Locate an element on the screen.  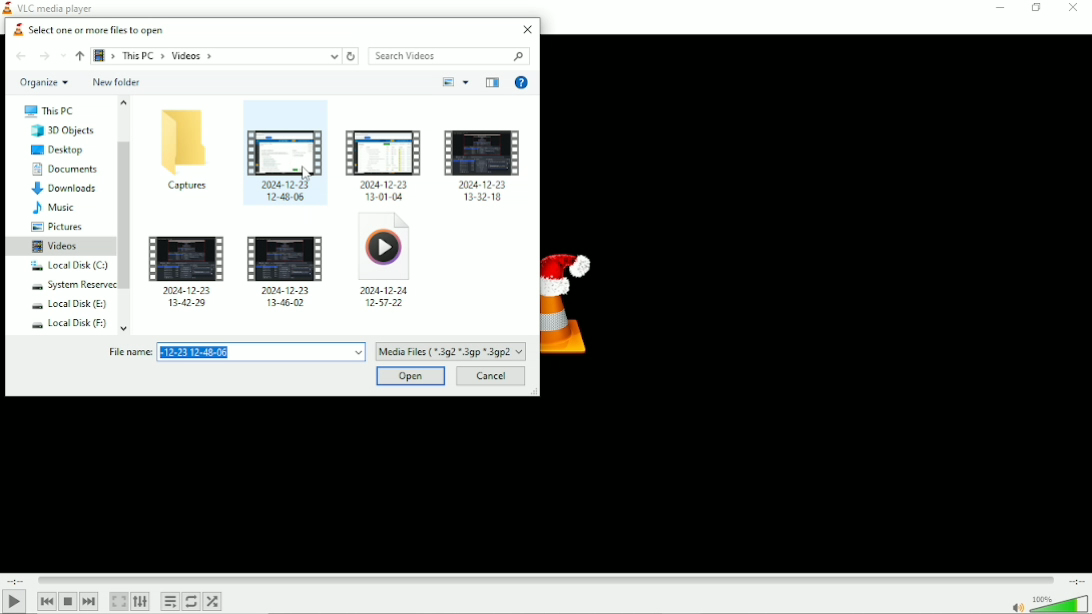
Next is located at coordinates (90, 601).